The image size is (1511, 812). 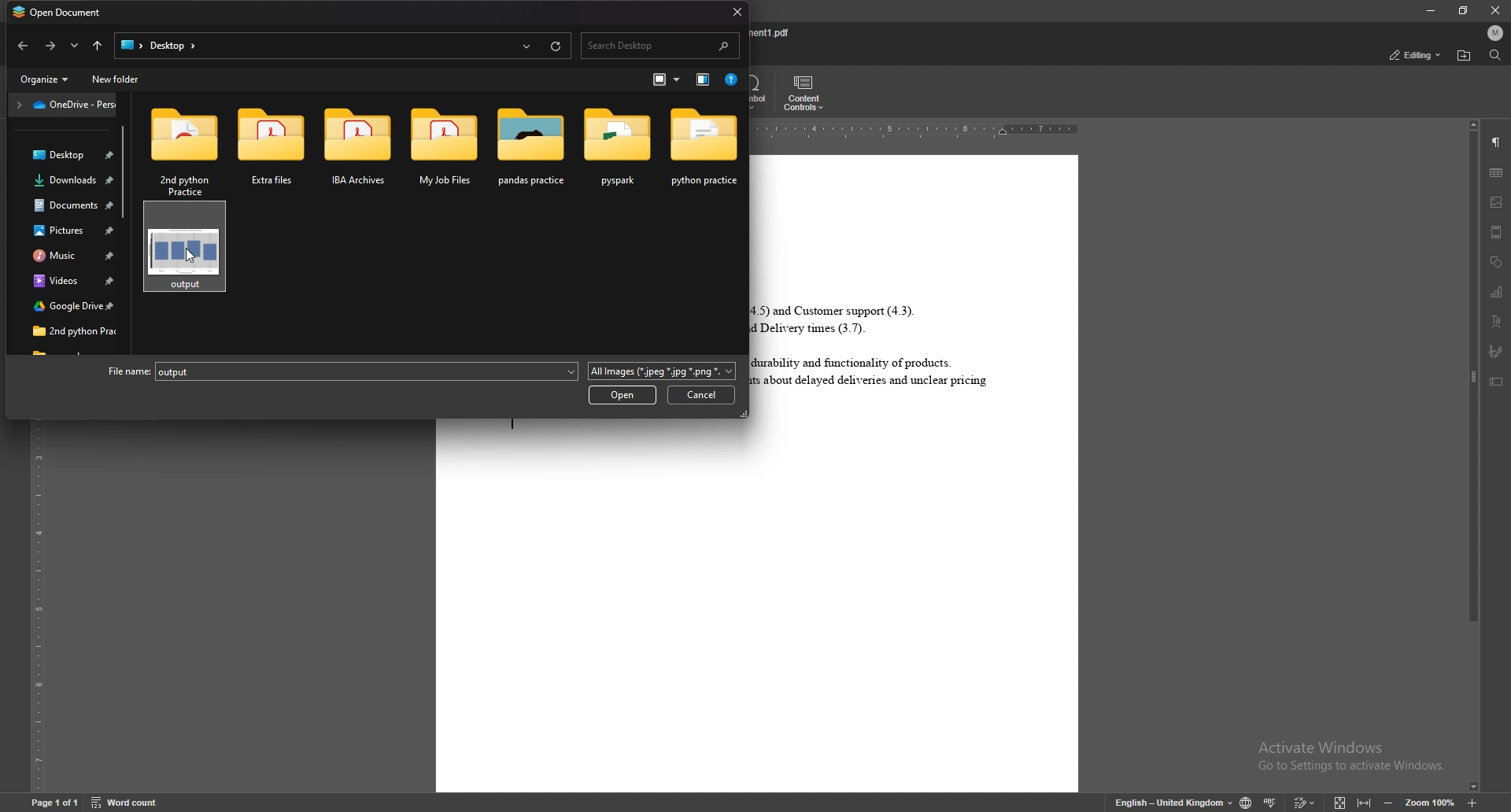 What do you see at coordinates (38, 608) in the screenshot?
I see `vertical scale` at bounding box center [38, 608].